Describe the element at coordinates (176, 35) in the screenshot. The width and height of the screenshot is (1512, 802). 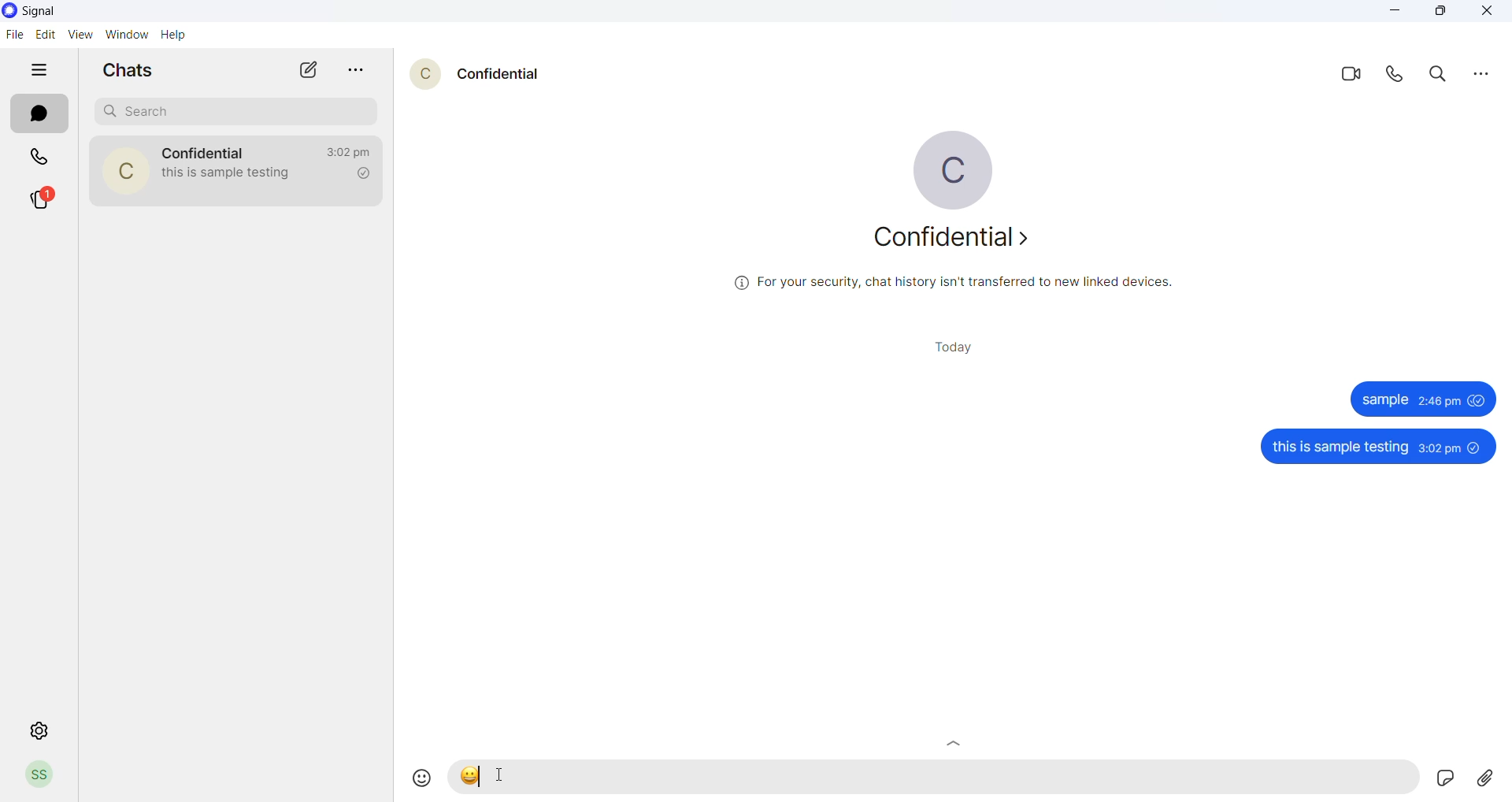
I see `help` at that location.